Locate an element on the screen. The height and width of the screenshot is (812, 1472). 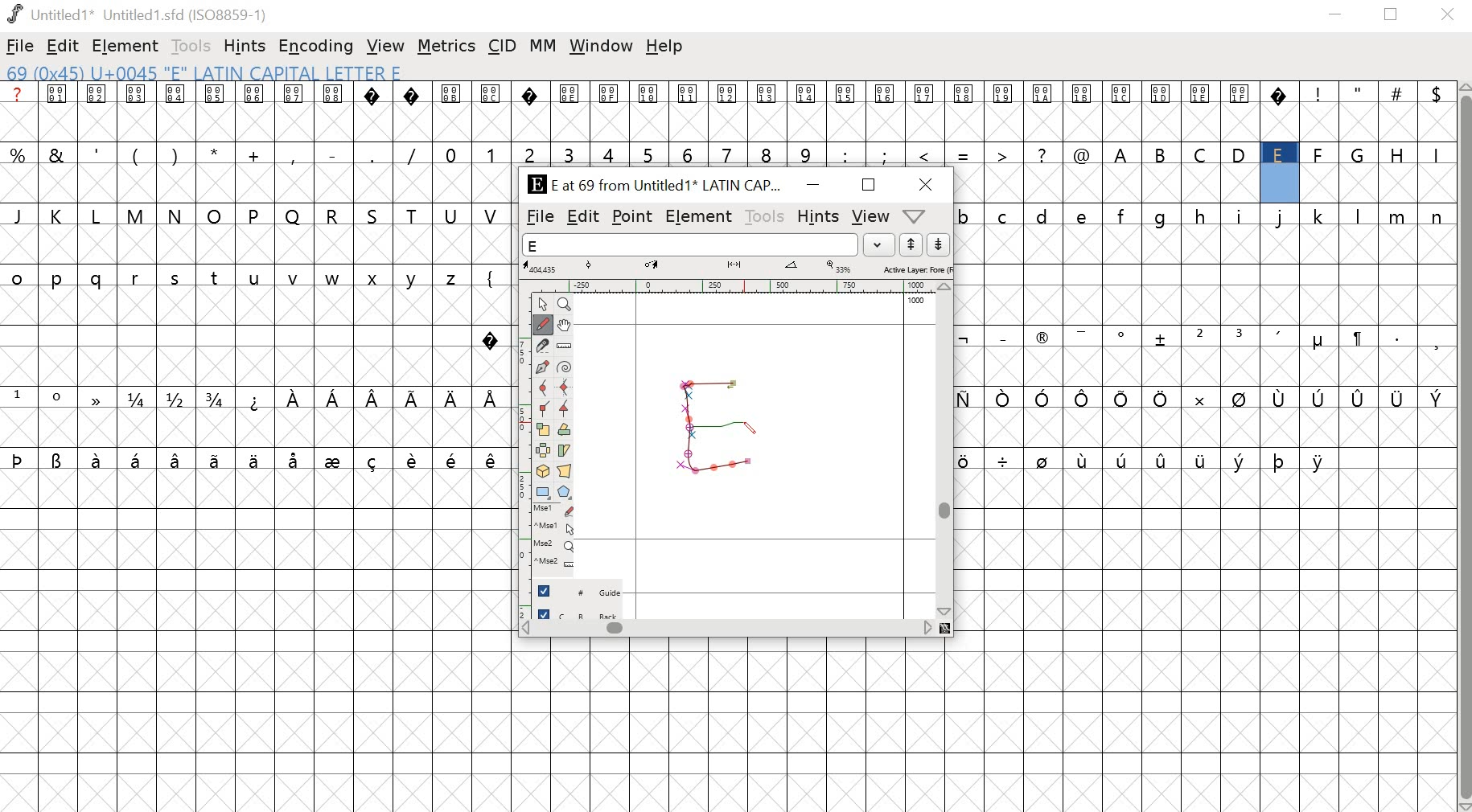
point is located at coordinates (632, 217).